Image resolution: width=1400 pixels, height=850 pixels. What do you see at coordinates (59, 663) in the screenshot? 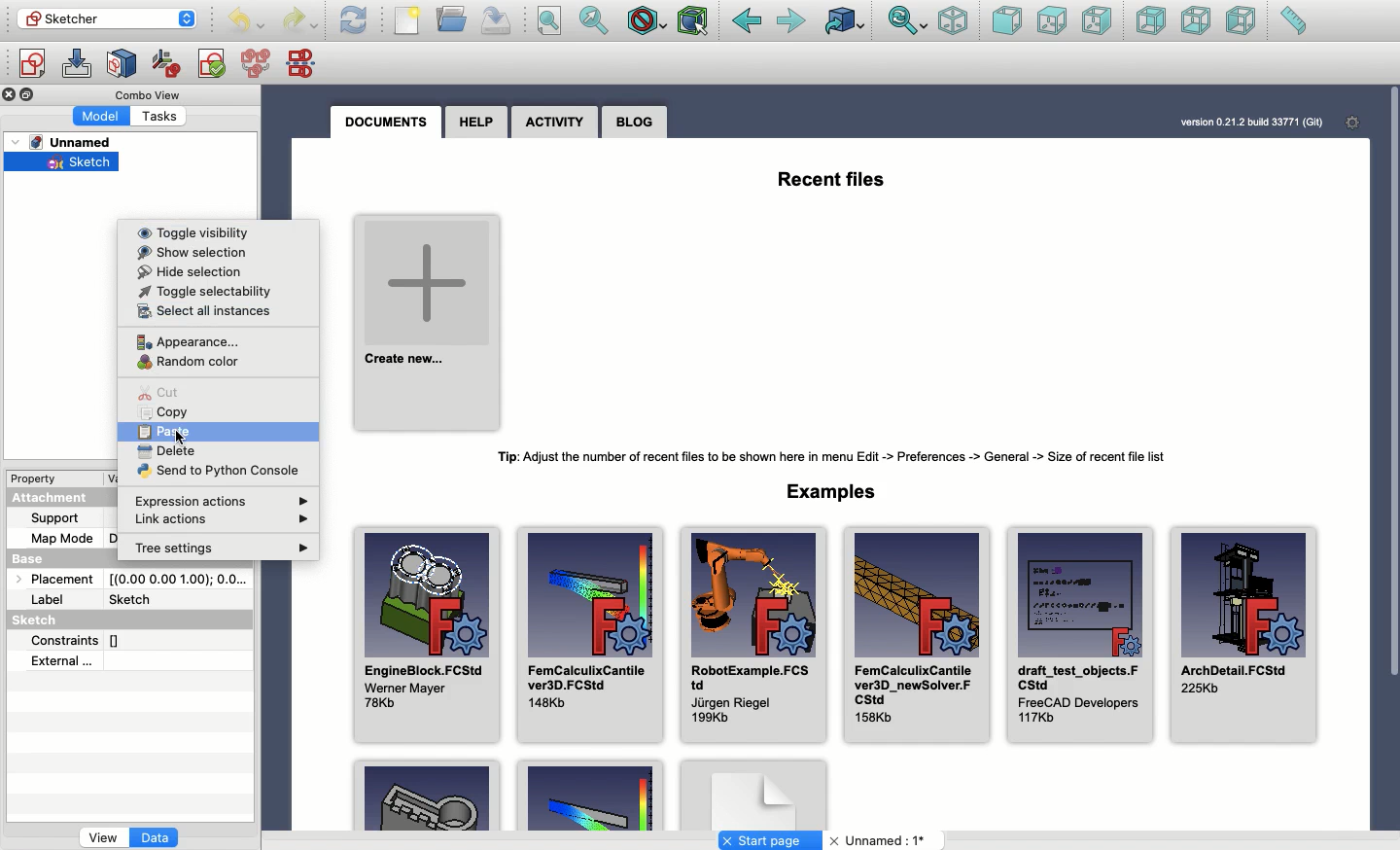
I see `External` at bounding box center [59, 663].